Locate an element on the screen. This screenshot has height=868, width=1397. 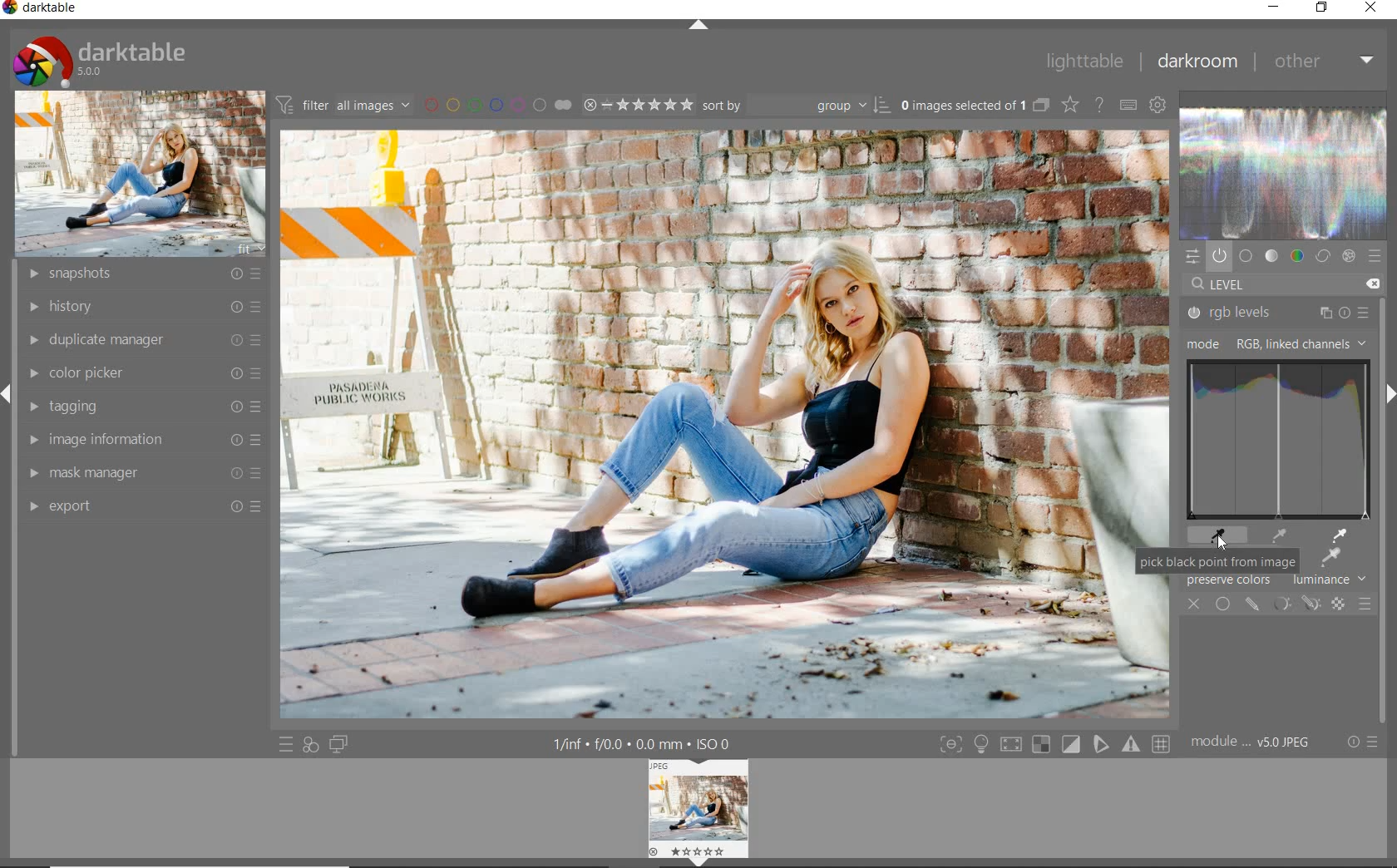
picker tools is located at coordinates (1310, 535).